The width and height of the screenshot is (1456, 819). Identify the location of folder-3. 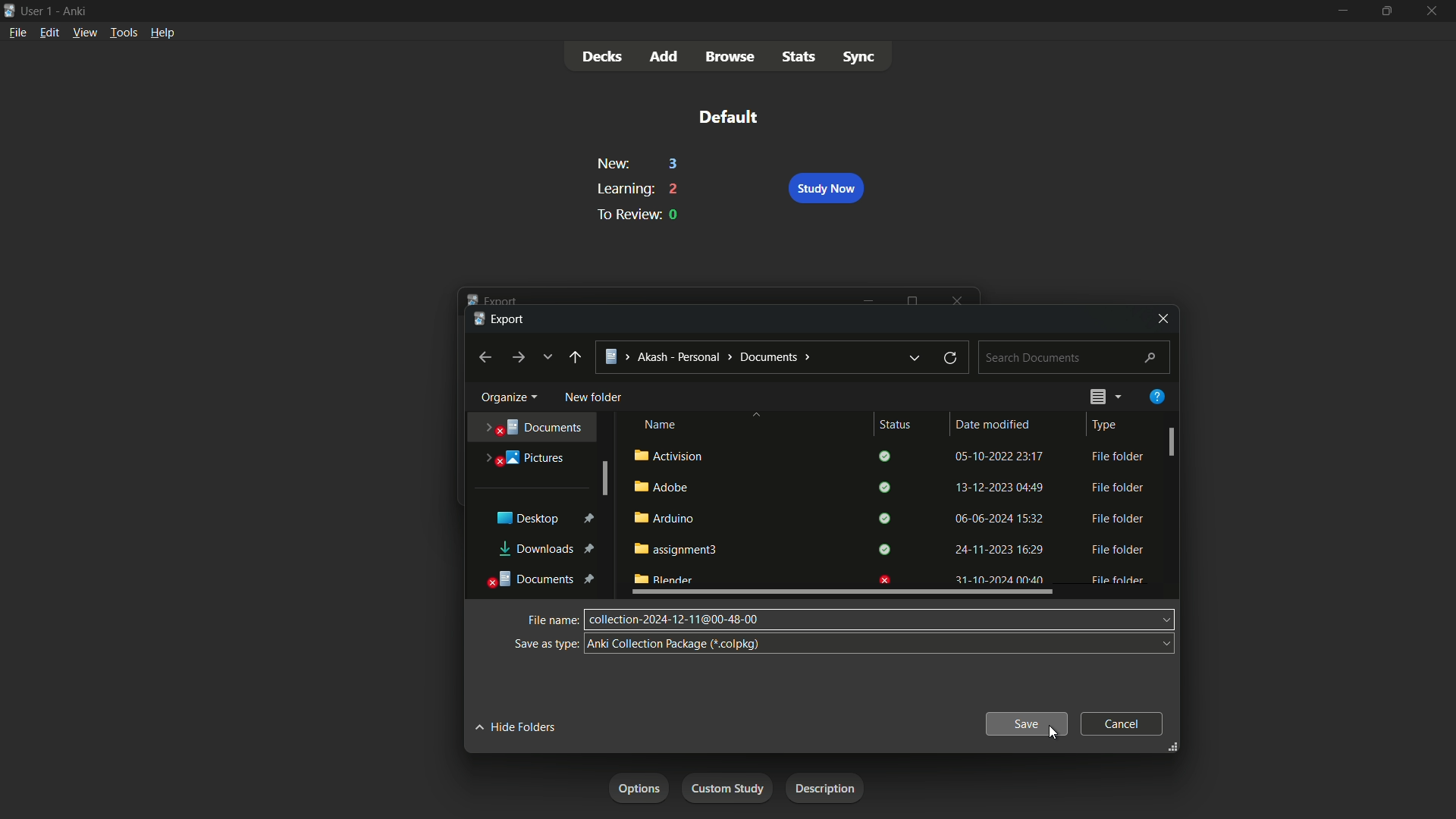
(888, 518).